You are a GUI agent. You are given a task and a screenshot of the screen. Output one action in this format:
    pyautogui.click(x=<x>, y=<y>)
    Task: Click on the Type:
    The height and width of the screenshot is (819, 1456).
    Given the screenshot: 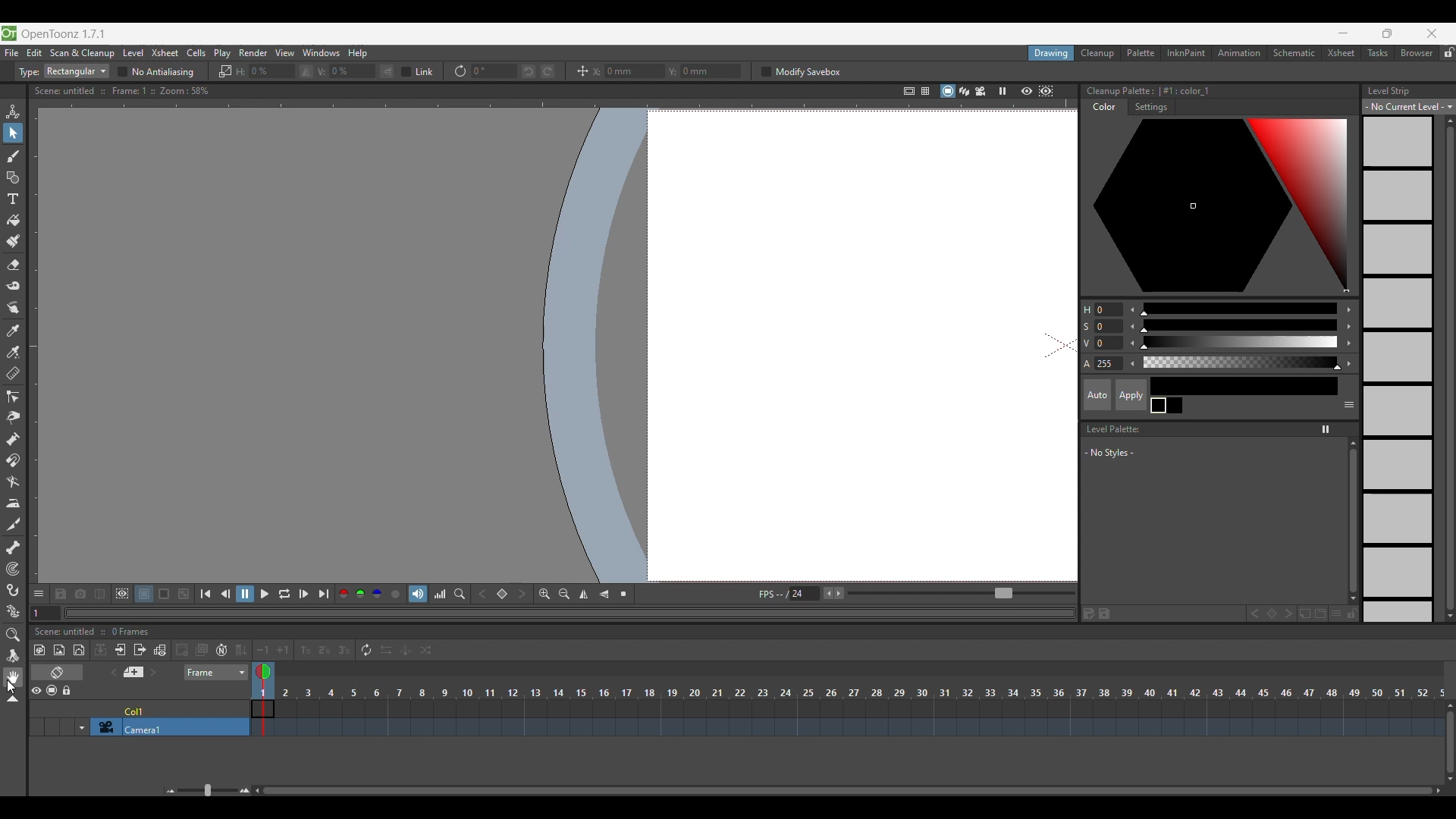 What is the action you would take?
    pyautogui.click(x=26, y=73)
    